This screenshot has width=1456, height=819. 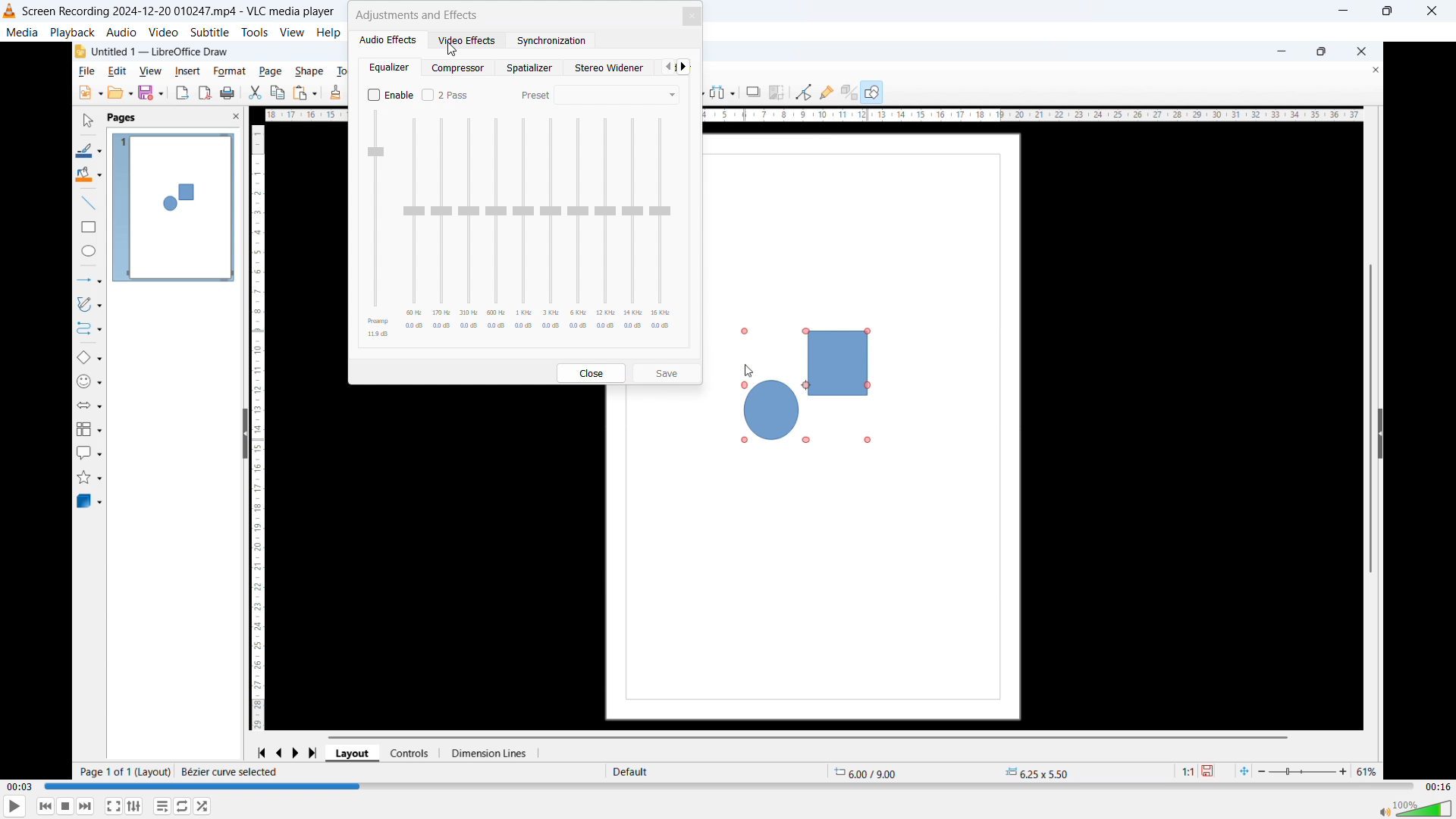 What do you see at coordinates (1416, 808) in the screenshot?
I see `volume bar ` at bounding box center [1416, 808].